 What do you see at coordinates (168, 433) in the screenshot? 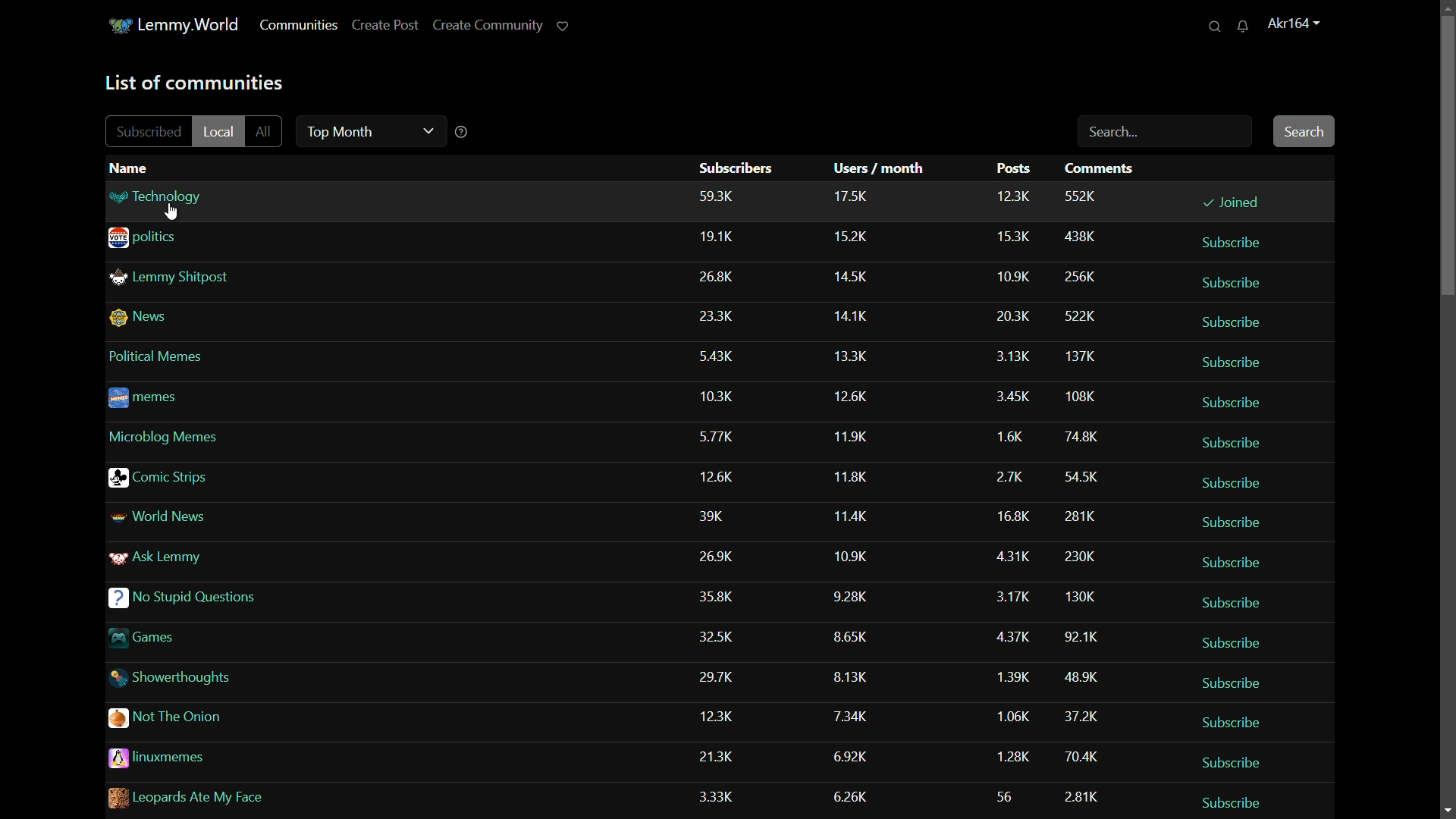
I see `communities name` at bounding box center [168, 433].